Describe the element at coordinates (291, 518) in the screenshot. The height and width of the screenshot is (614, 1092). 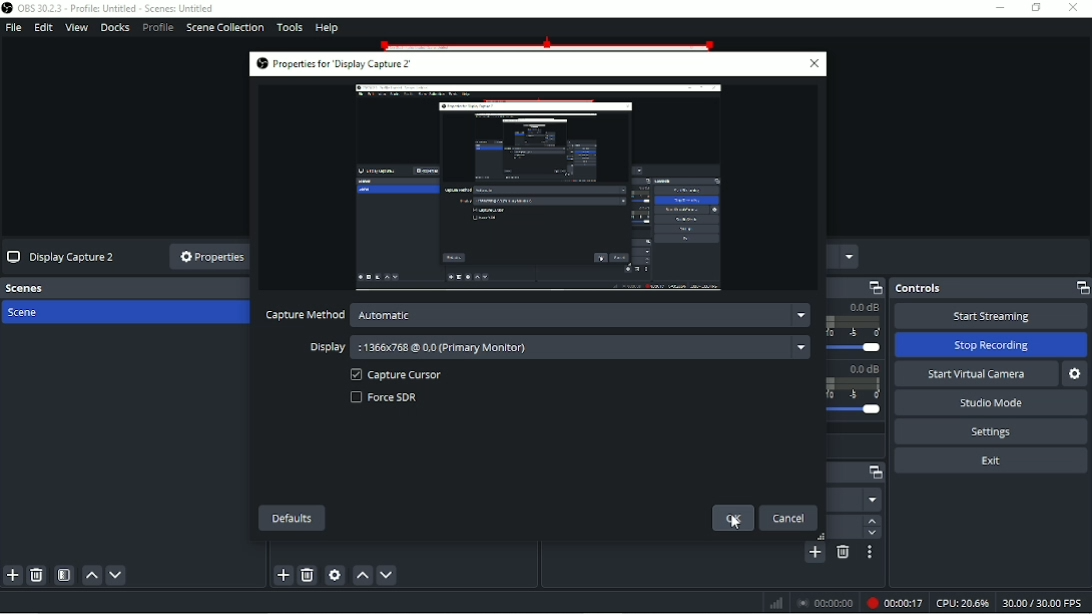
I see `Defaults` at that location.